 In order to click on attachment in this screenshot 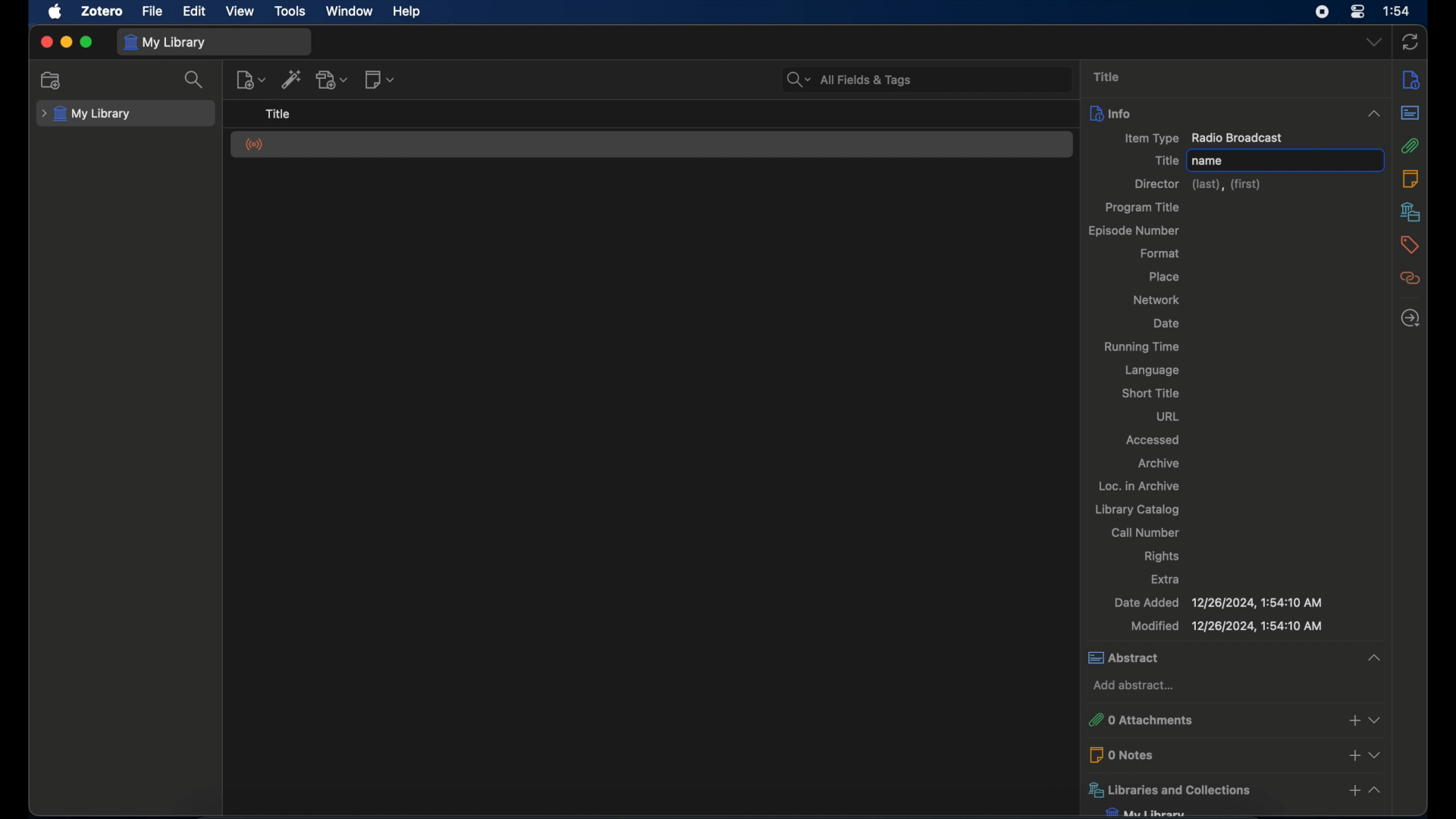, I will do `click(1411, 146)`.